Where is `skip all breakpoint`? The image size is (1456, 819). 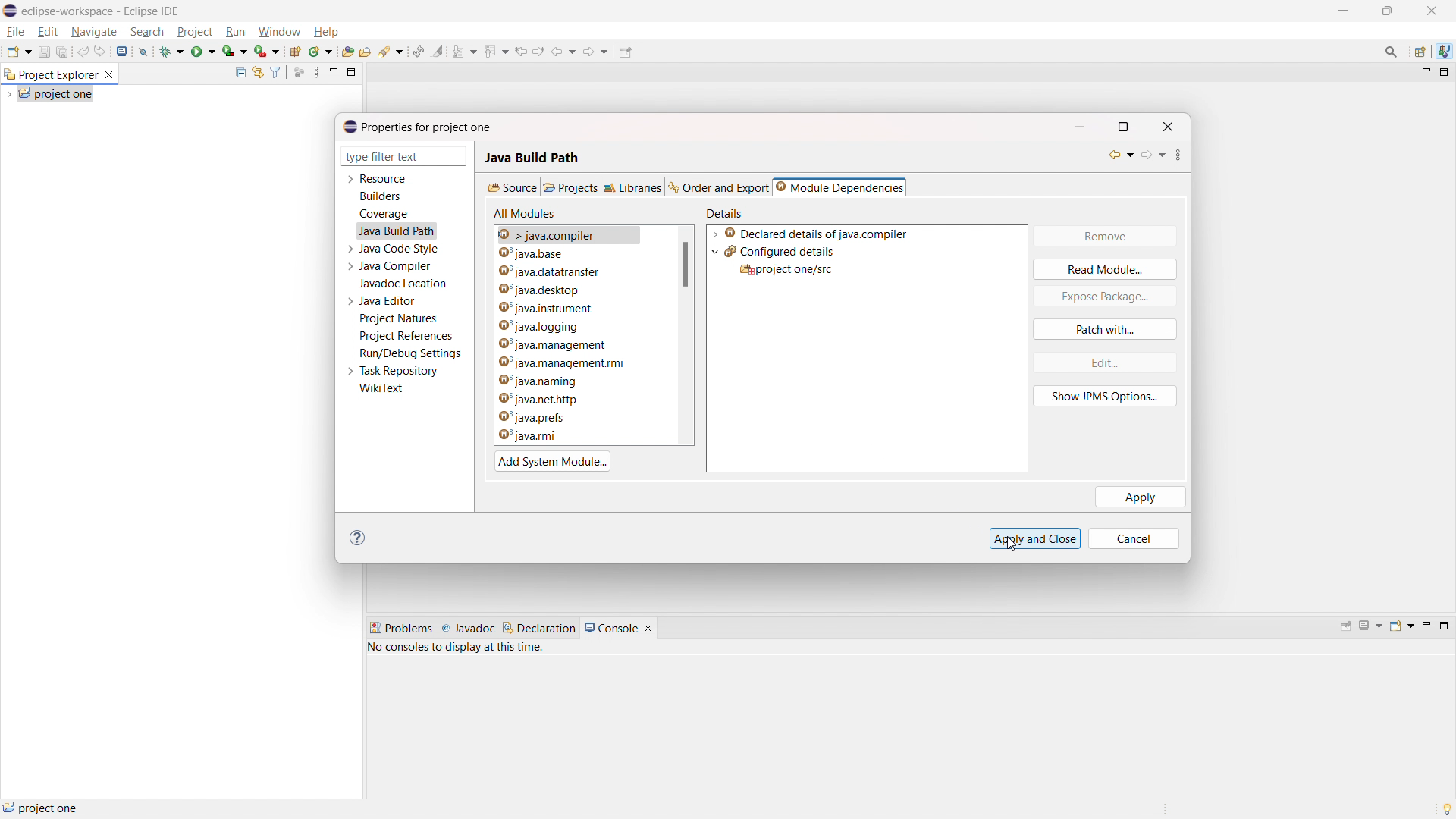 skip all breakpoint is located at coordinates (143, 50).